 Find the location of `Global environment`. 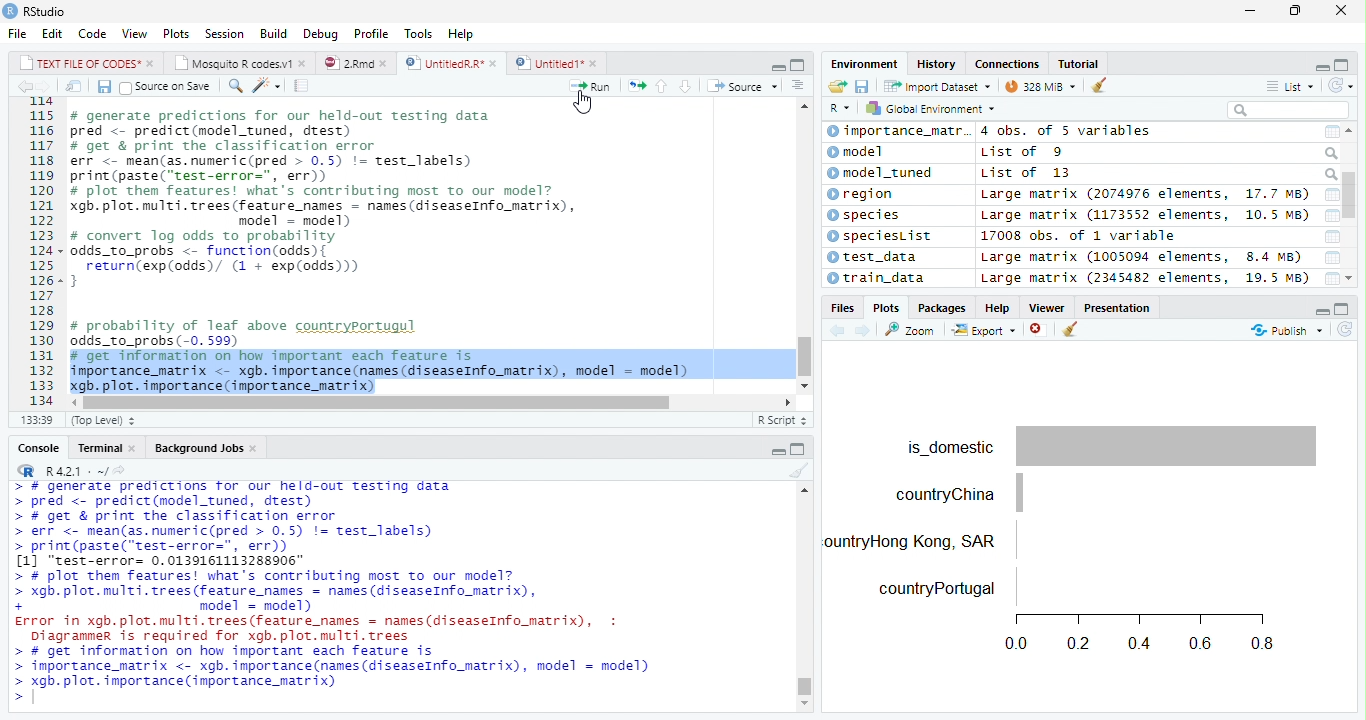

Global environment is located at coordinates (930, 109).